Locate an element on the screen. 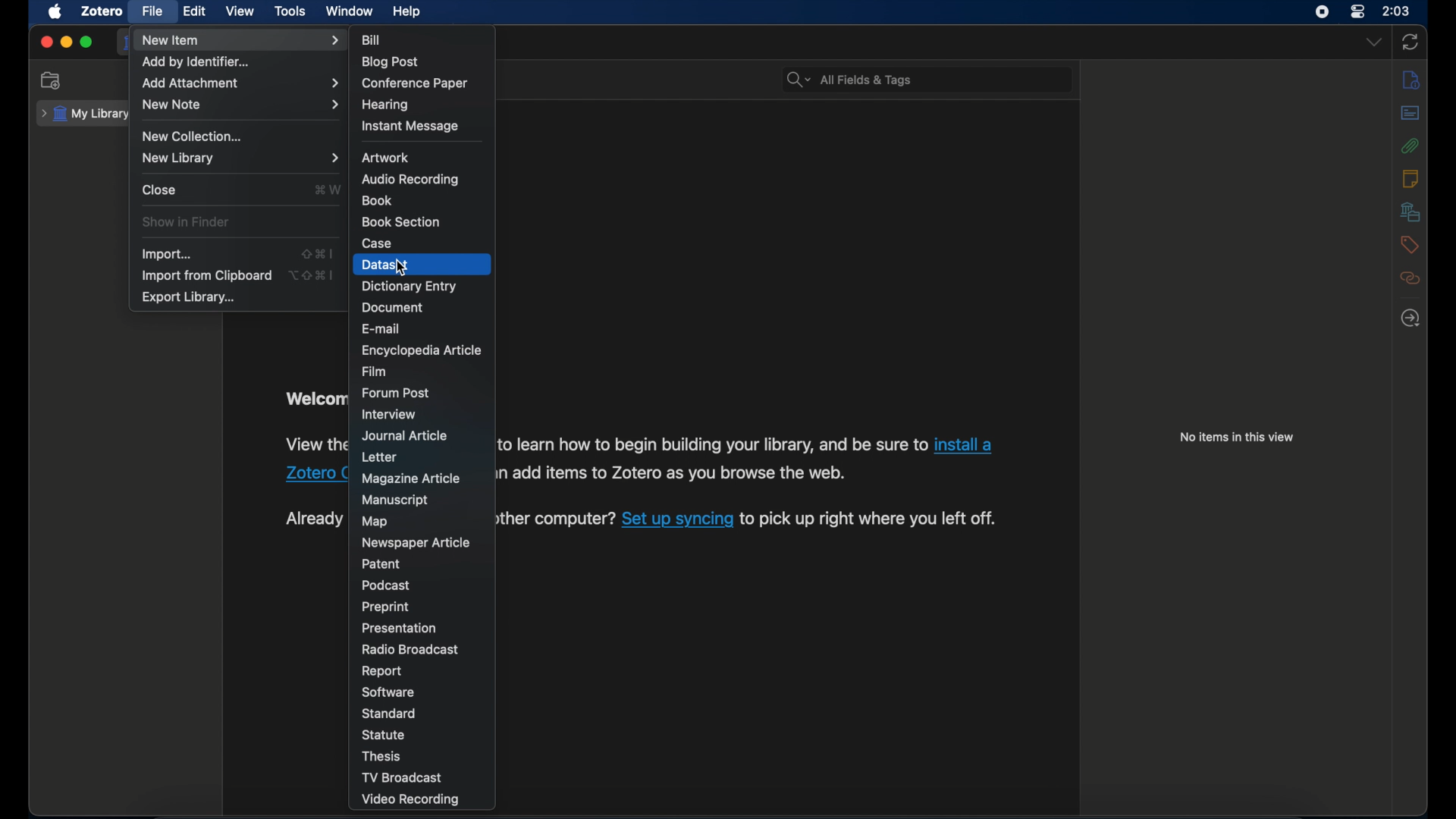 Image resolution: width=1456 pixels, height=819 pixels. tv broadcast is located at coordinates (403, 778).